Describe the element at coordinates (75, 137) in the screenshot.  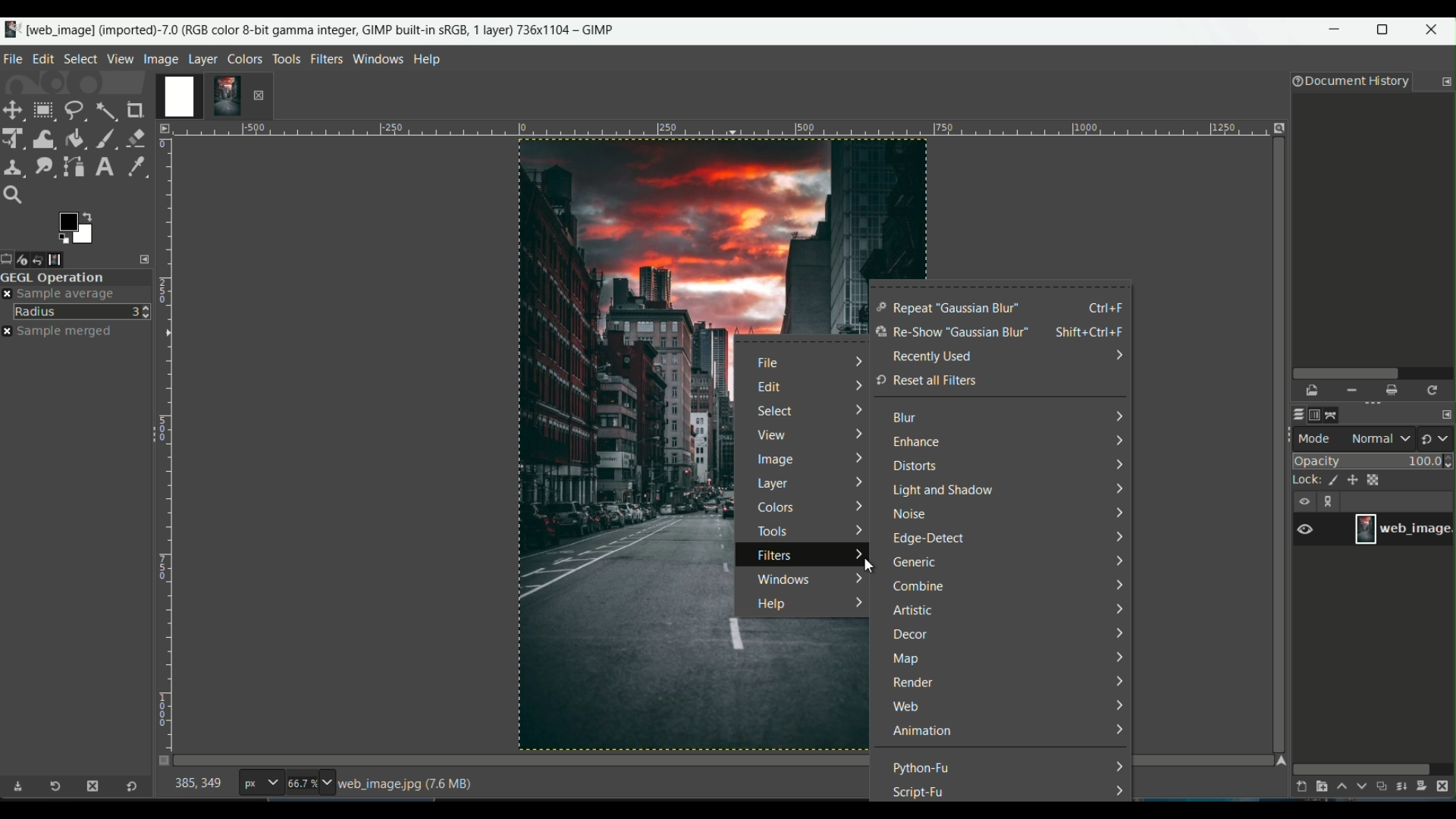
I see `bucket fill tool` at that location.